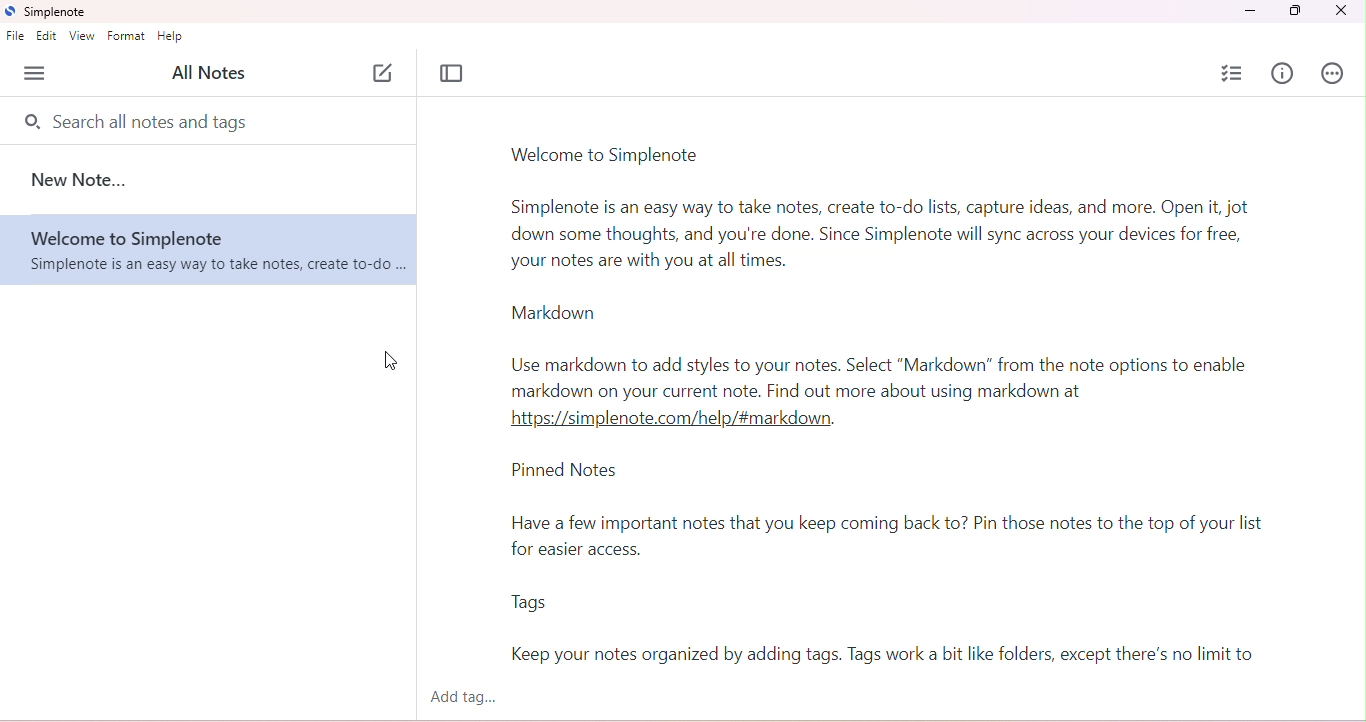 This screenshot has width=1366, height=722. I want to click on add tag, so click(474, 698).